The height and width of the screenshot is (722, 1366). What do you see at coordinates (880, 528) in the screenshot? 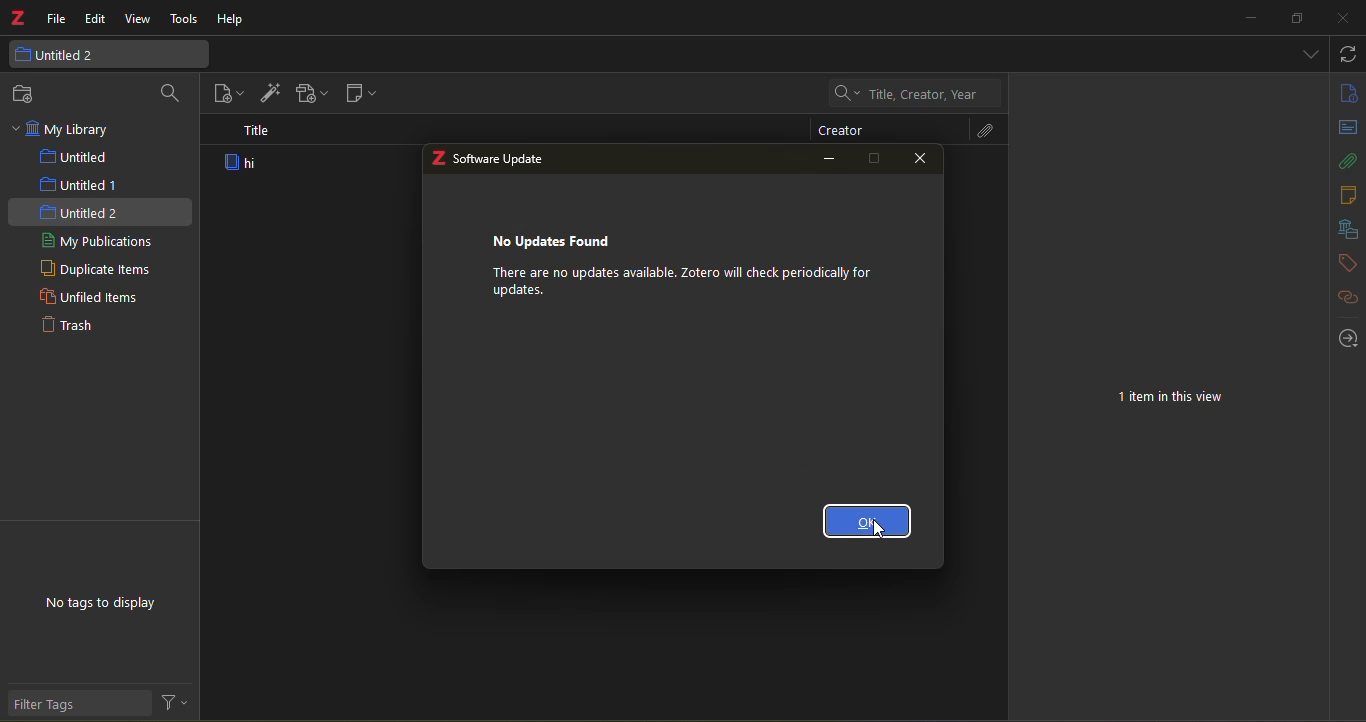
I see `cursor` at bounding box center [880, 528].